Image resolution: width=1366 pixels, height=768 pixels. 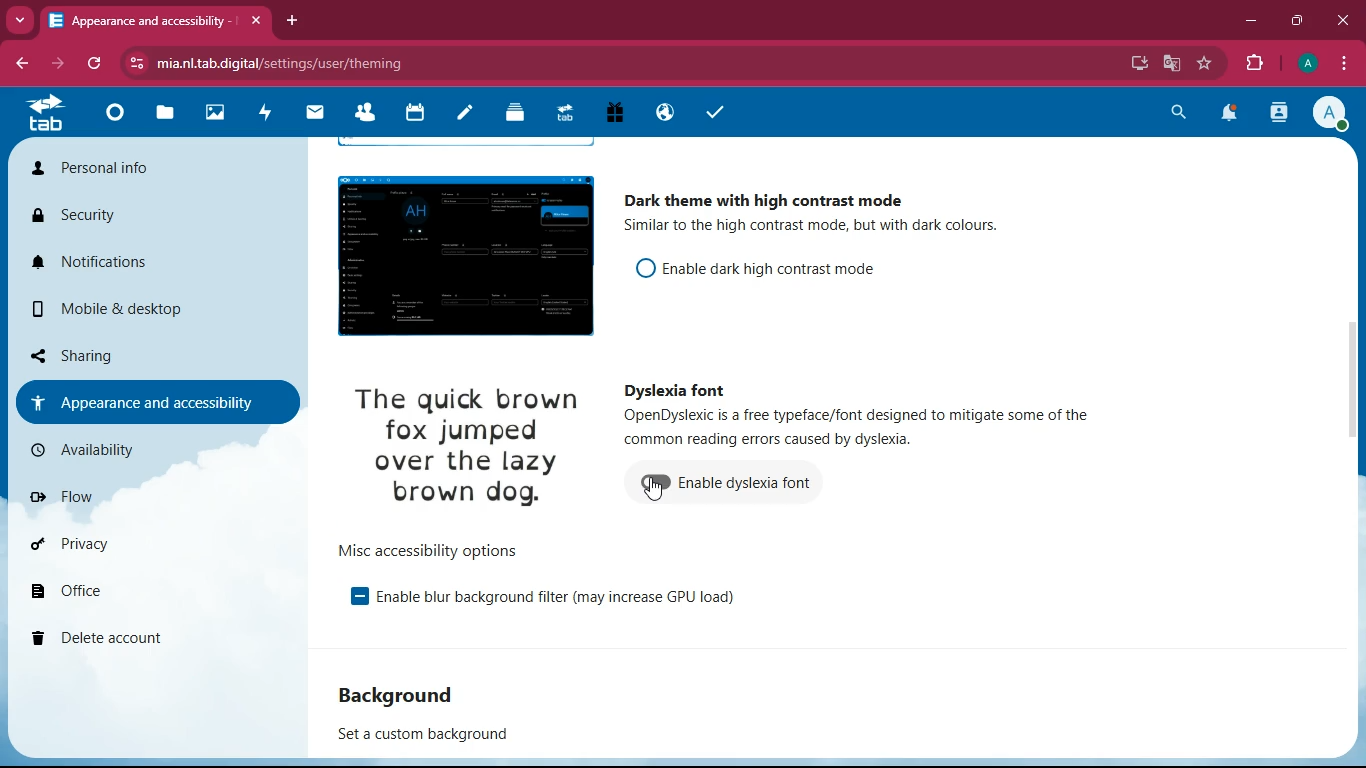 What do you see at coordinates (137, 261) in the screenshot?
I see `notifications` at bounding box center [137, 261].